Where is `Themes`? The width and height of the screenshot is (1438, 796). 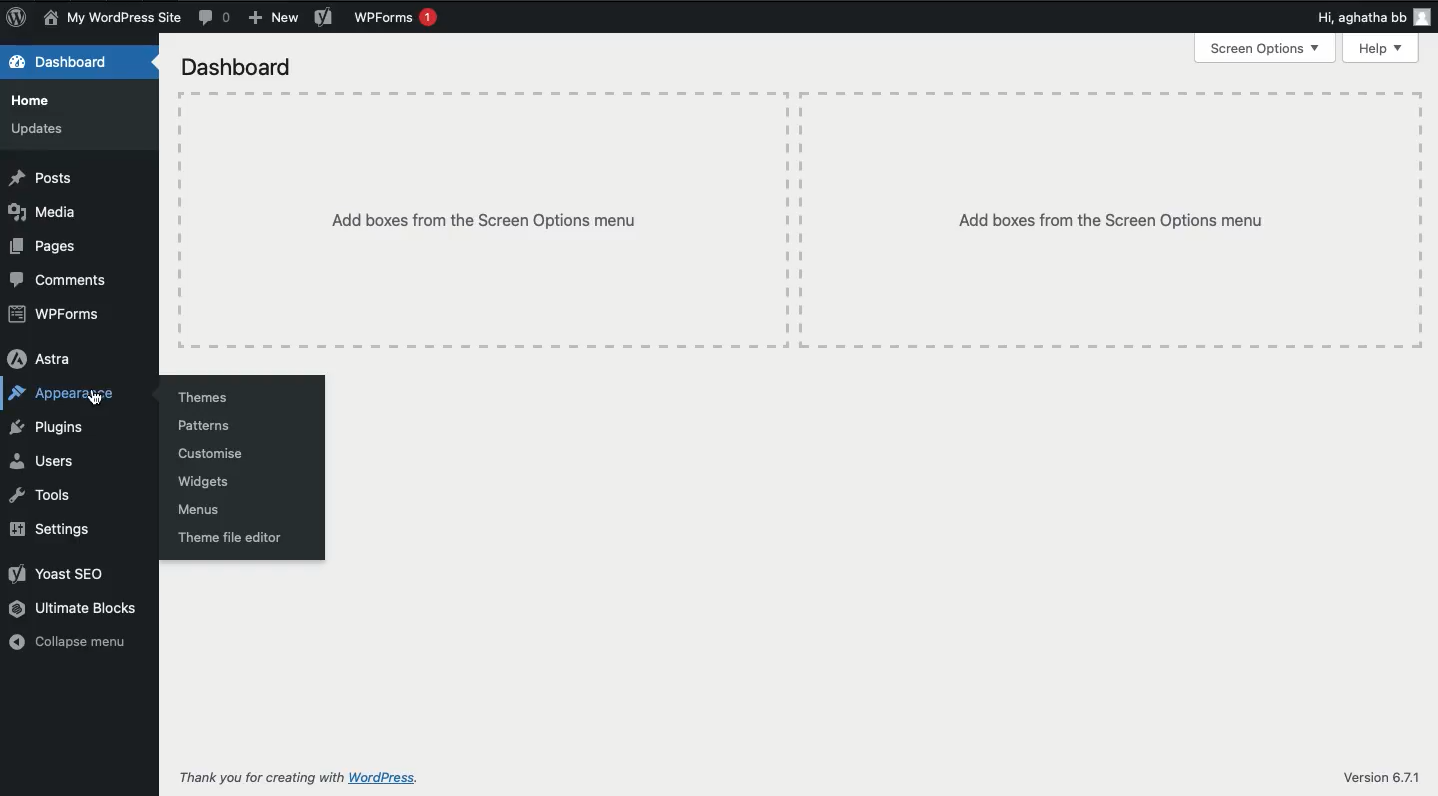
Themes is located at coordinates (205, 398).